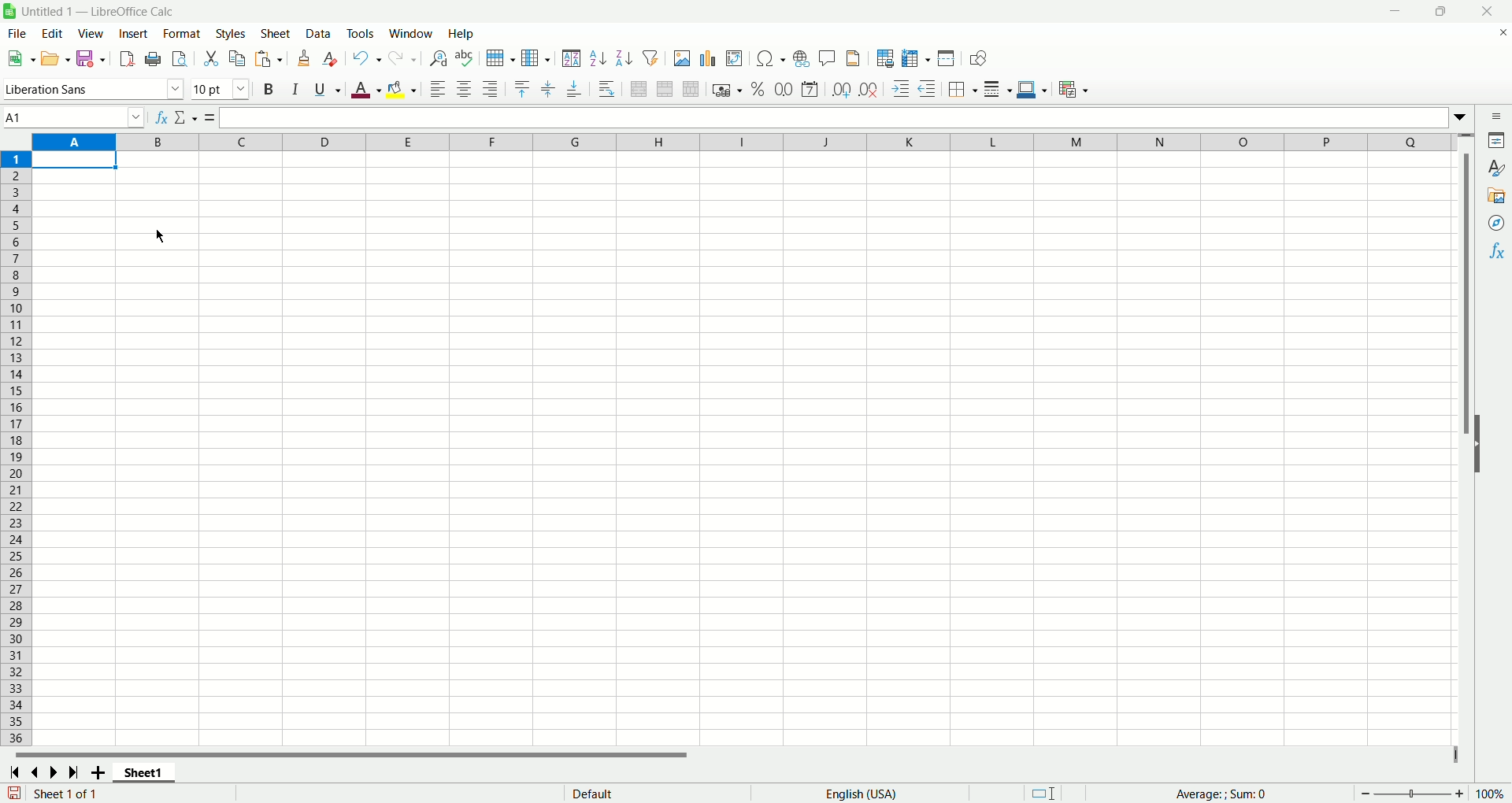  I want to click on split window, so click(945, 60).